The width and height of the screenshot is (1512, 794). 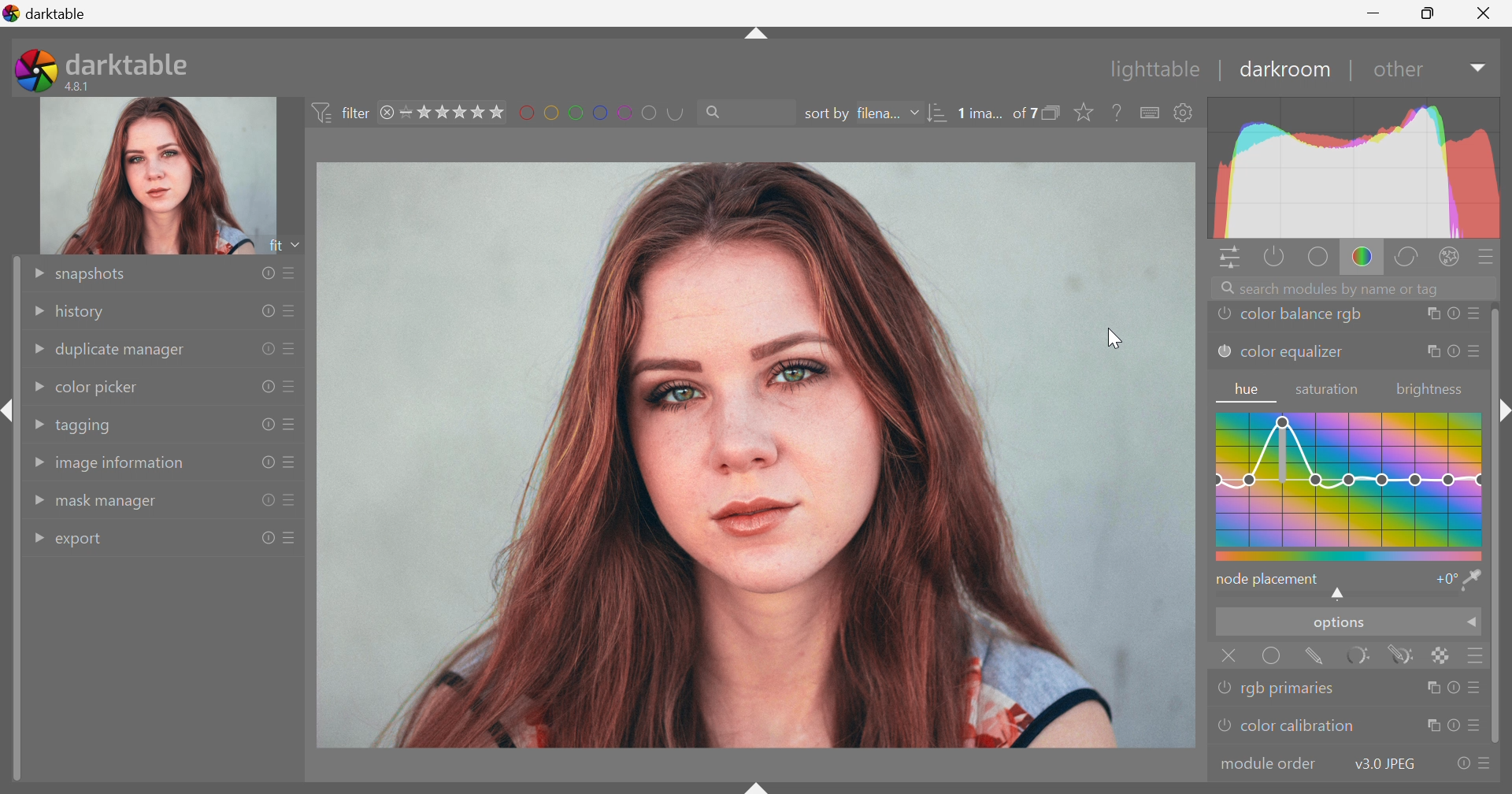 I want to click on image, so click(x=160, y=176).